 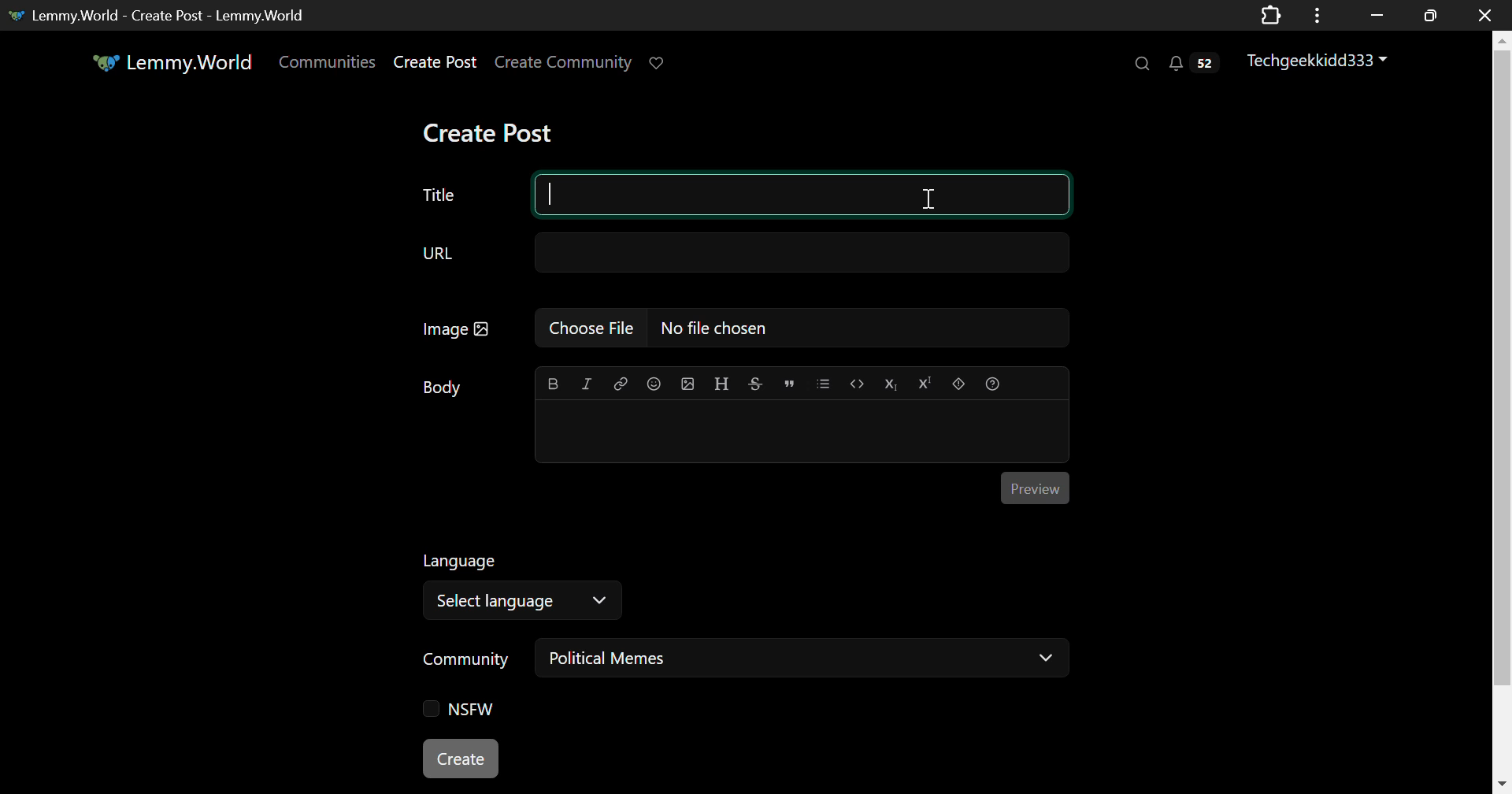 I want to click on Create Community Page Link, so click(x=564, y=61).